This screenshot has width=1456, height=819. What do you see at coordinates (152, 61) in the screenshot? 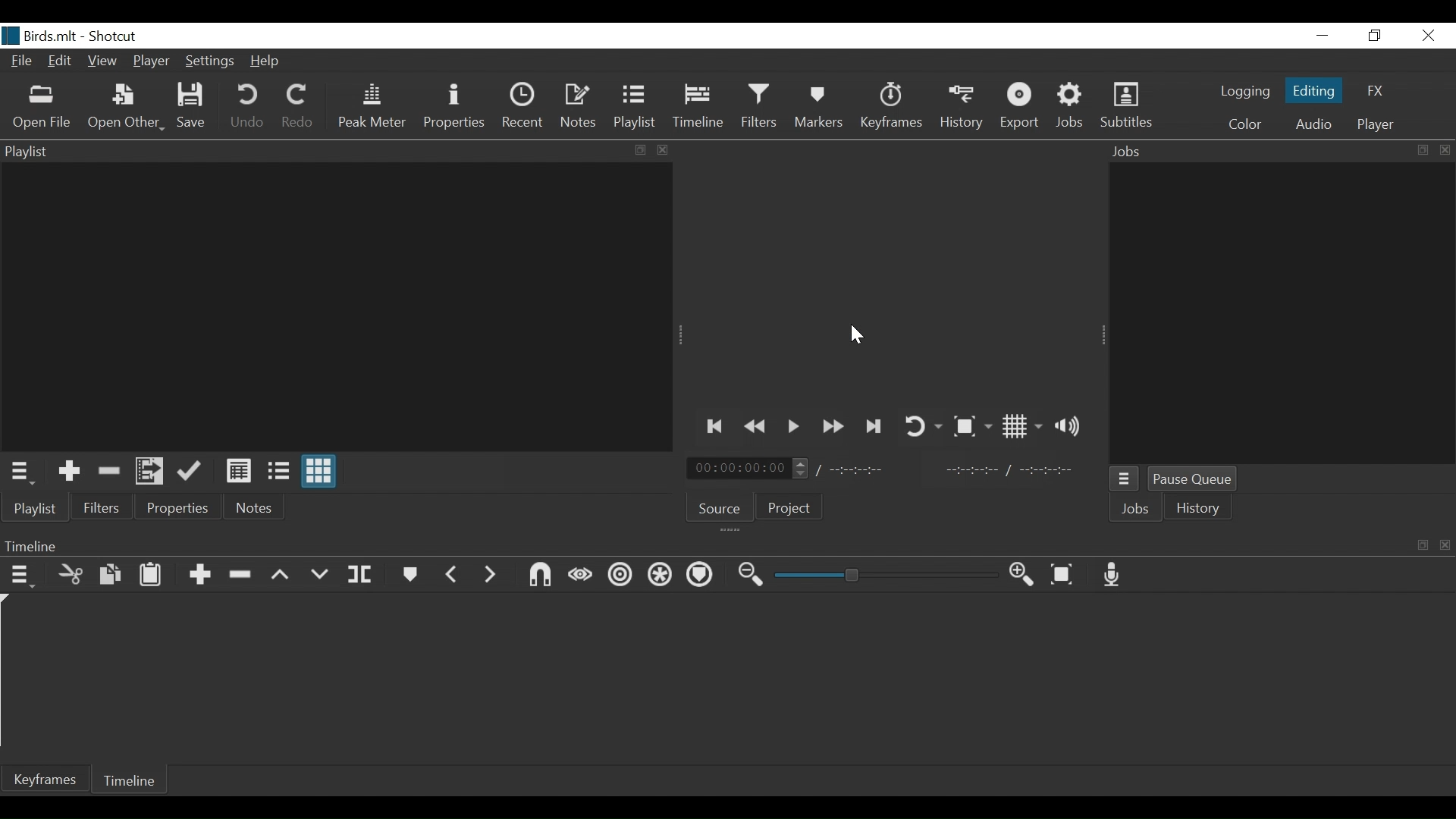
I see `Player` at bounding box center [152, 61].